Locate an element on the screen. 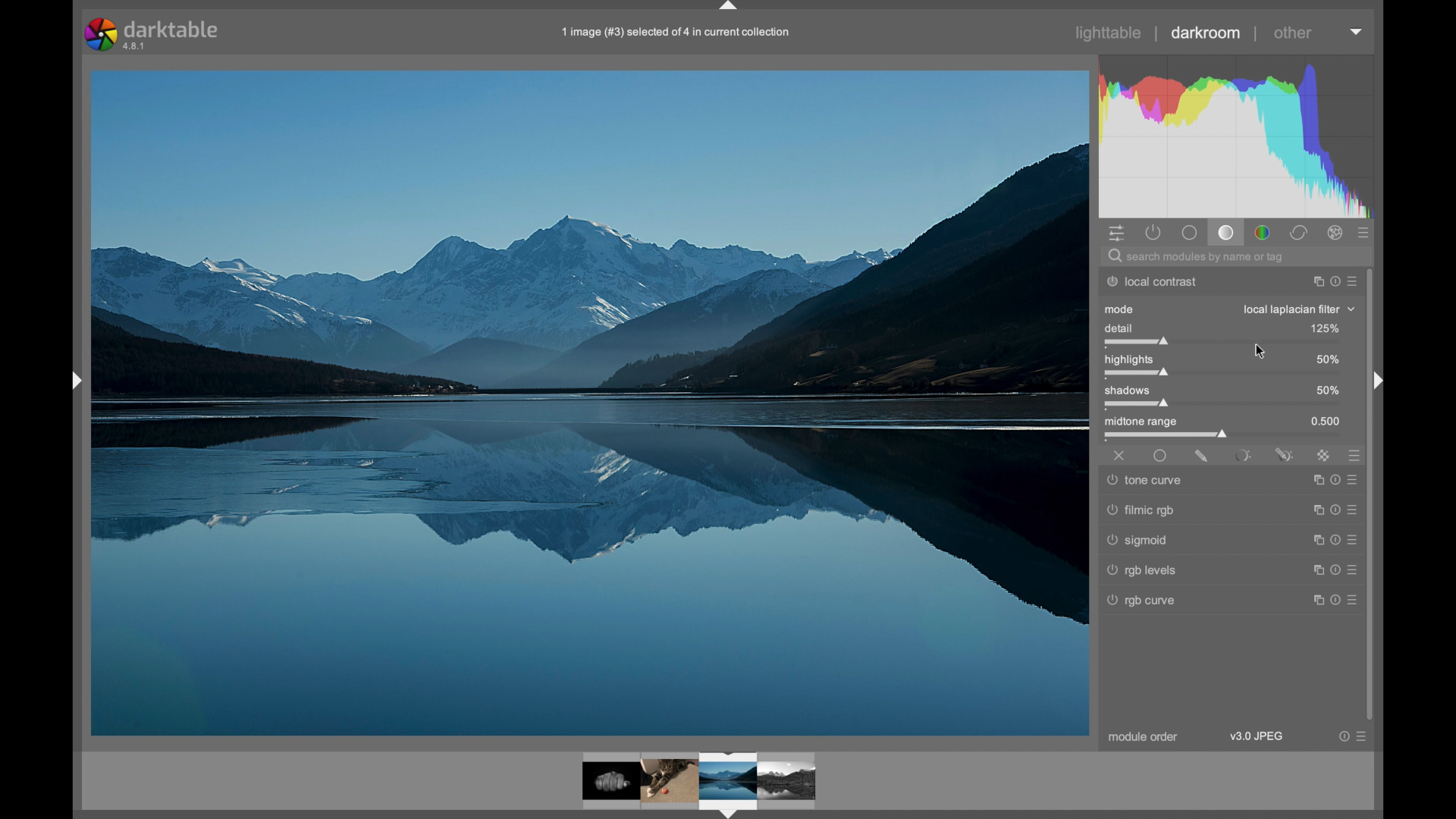  rgb curve is located at coordinates (1143, 601).